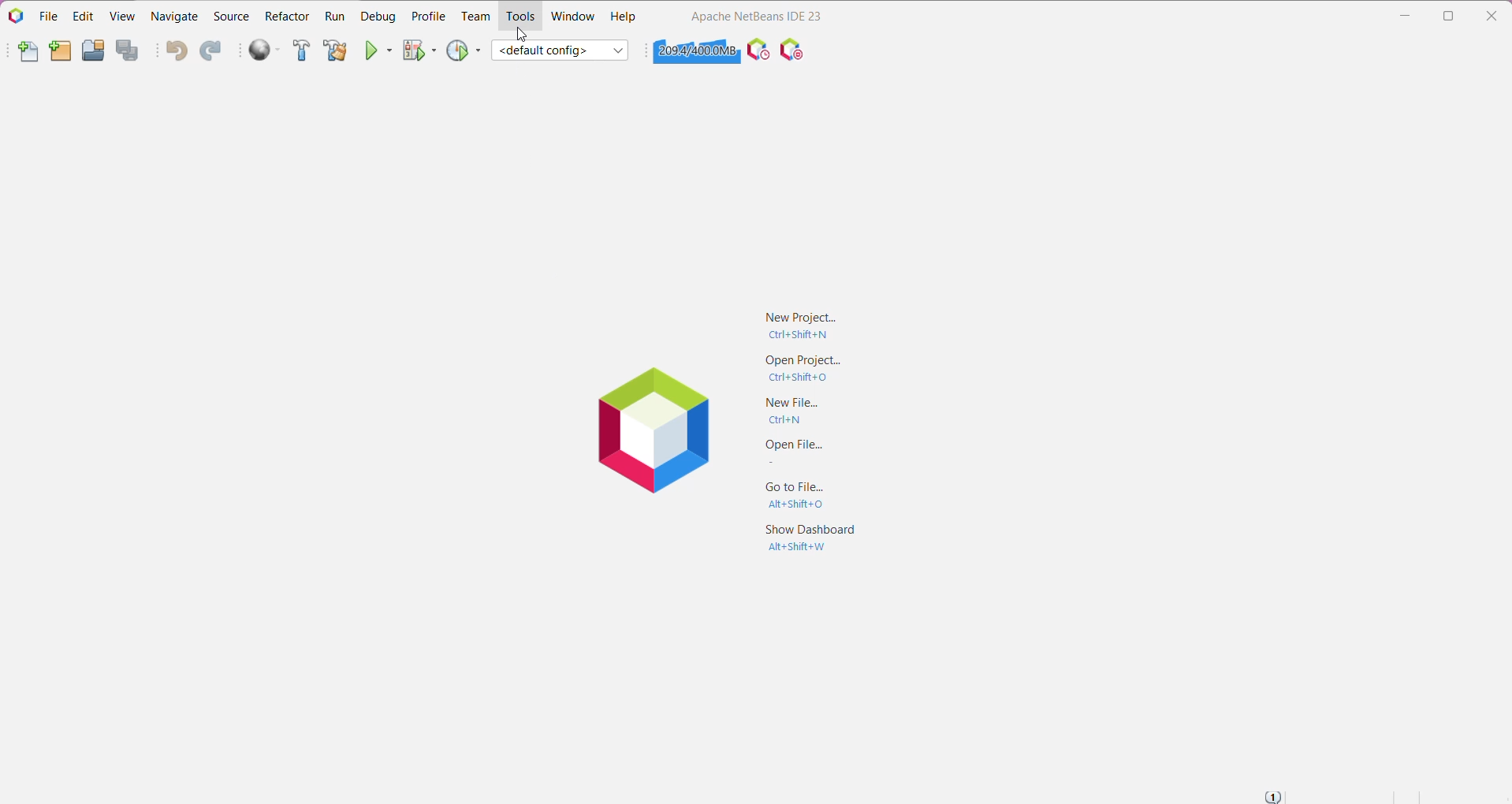 The height and width of the screenshot is (804, 1512). What do you see at coordinates (799, 496) in the screenshot?
I see `Go to File` at bounding box center [799, 496].